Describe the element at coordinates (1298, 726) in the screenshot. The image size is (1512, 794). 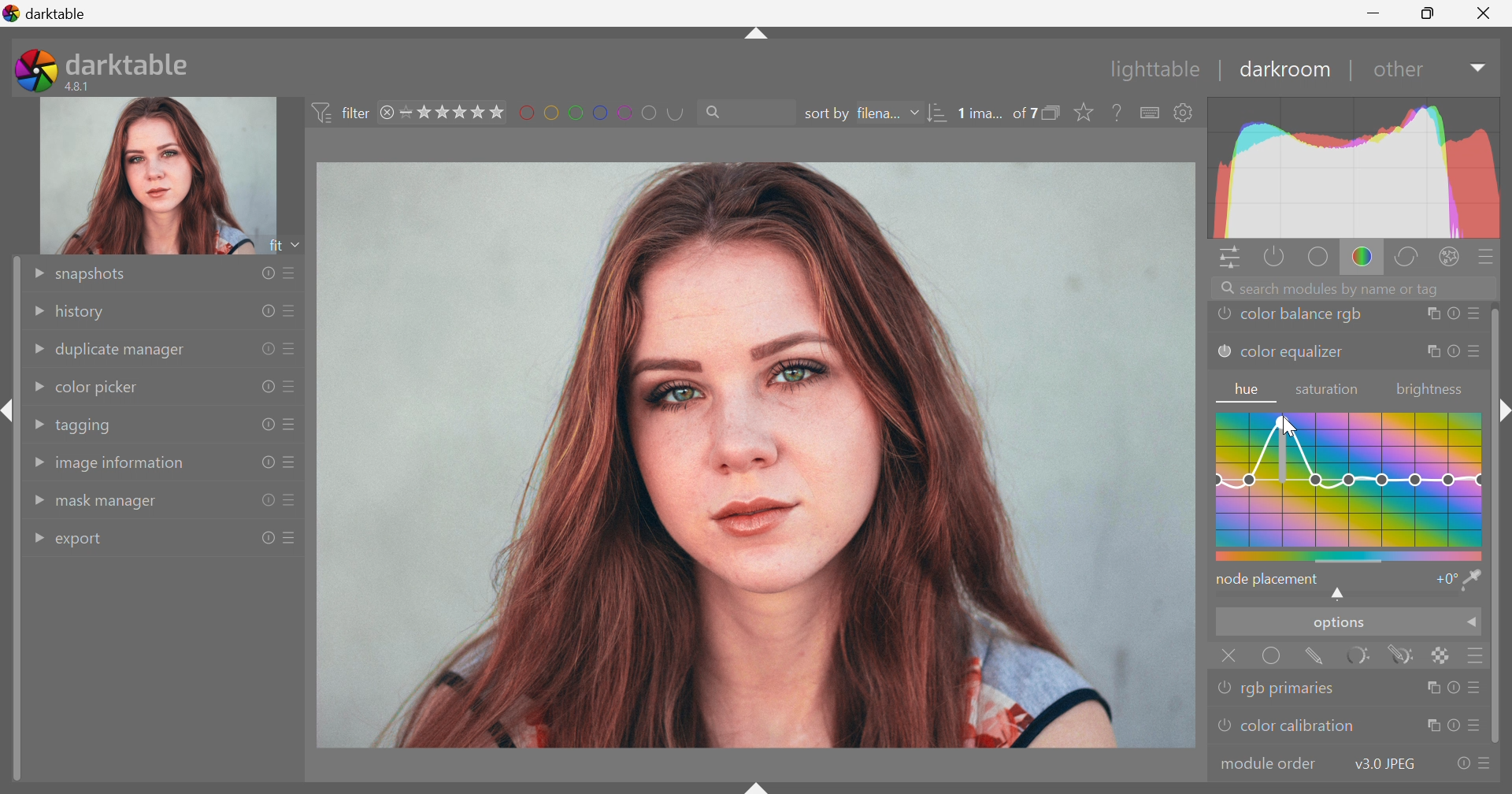
I see `color calibration` at that location.